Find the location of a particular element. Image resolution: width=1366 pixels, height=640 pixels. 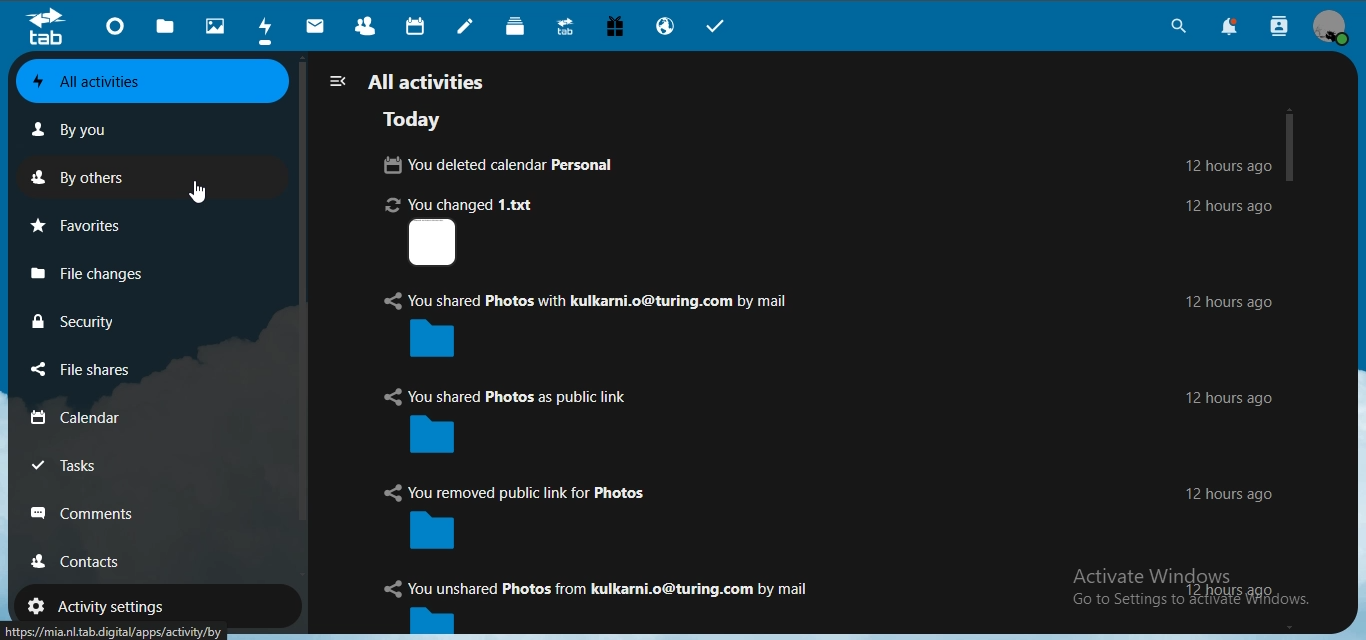

photos is located at coordinates (214, 25).